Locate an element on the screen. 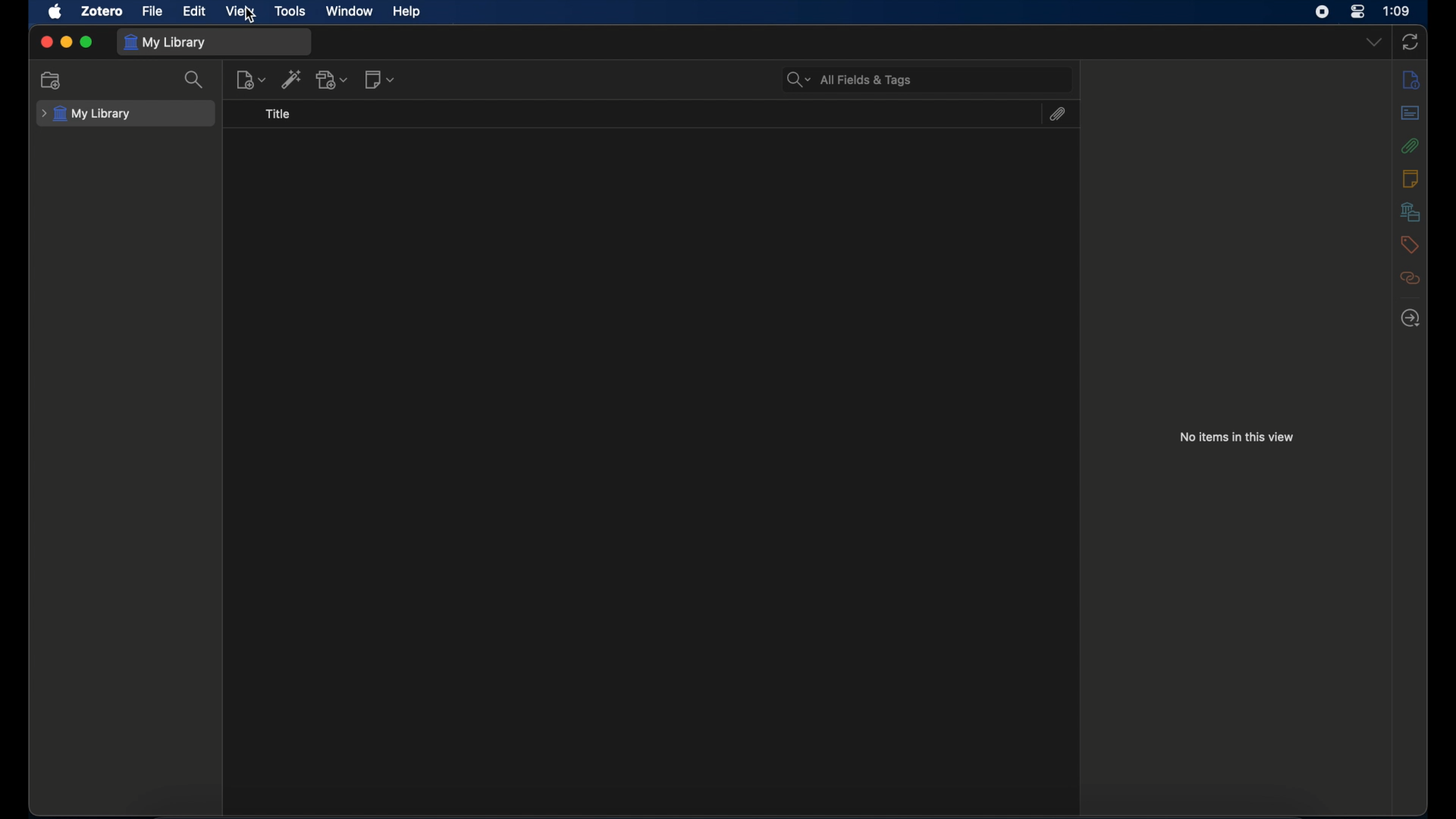 This screenshot has height=819, width=1456. time is located at coordinates (1398, 10).